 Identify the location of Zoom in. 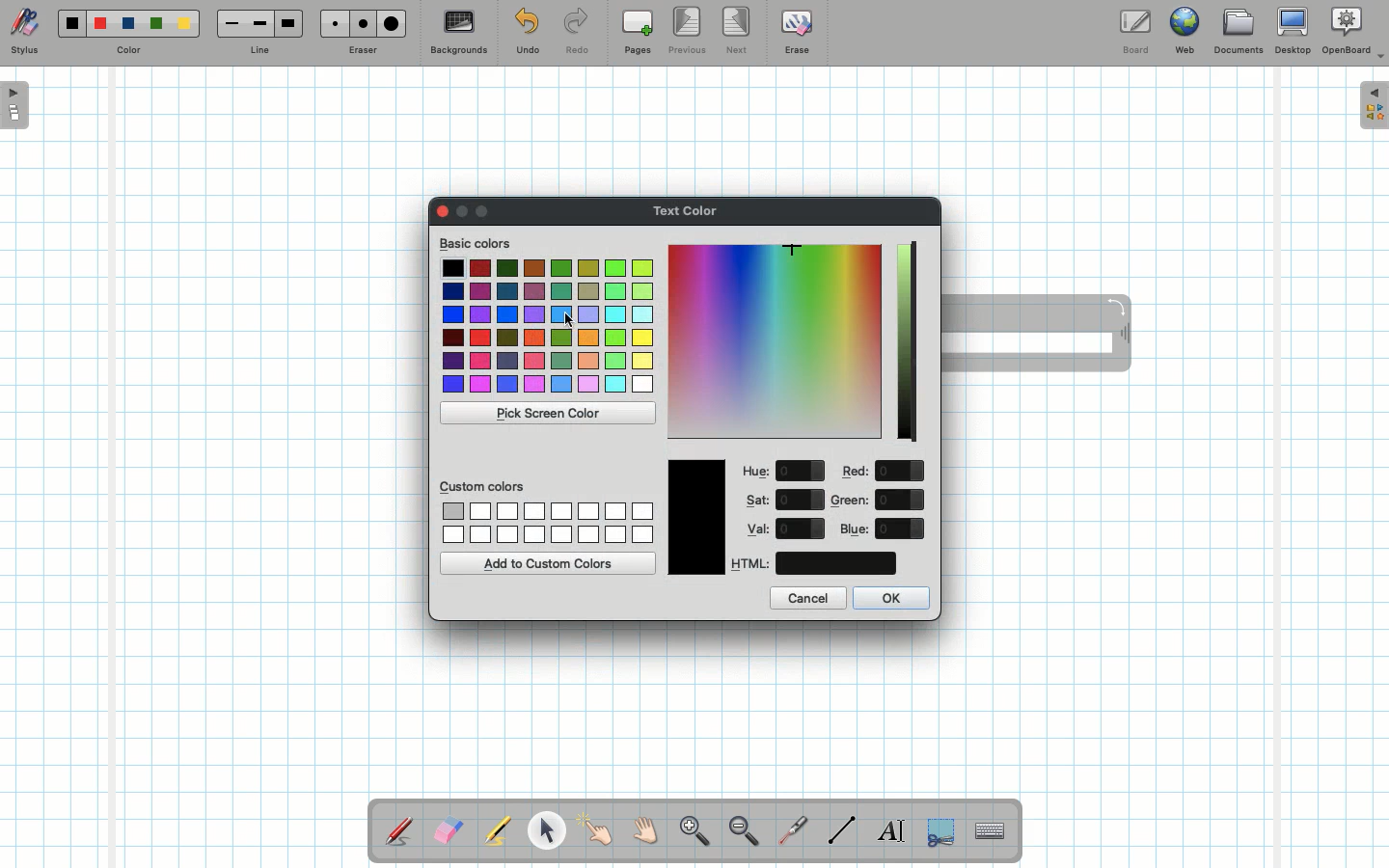
(690, 833).